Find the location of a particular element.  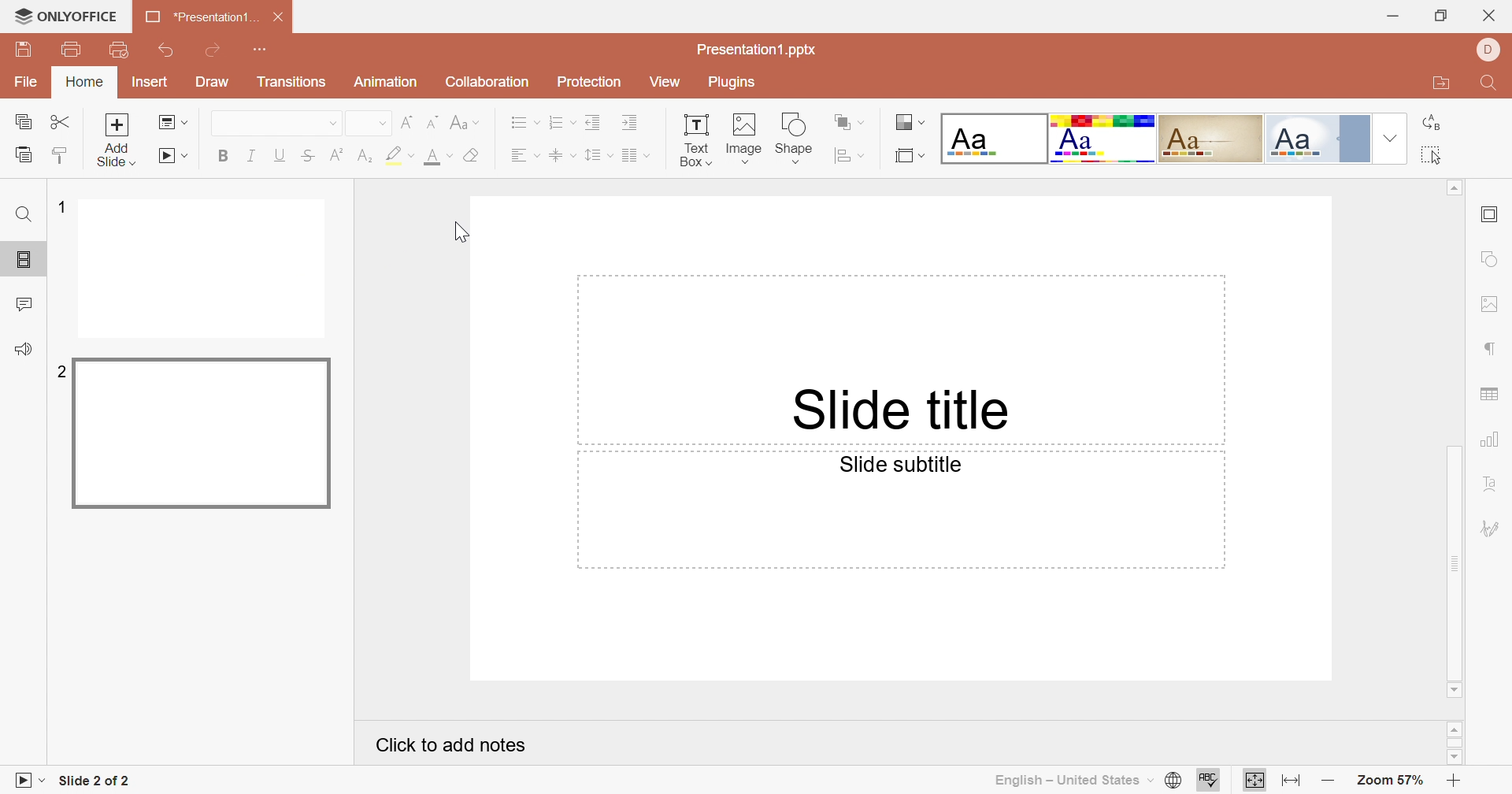

Insert is located at coordinates (153, 81).